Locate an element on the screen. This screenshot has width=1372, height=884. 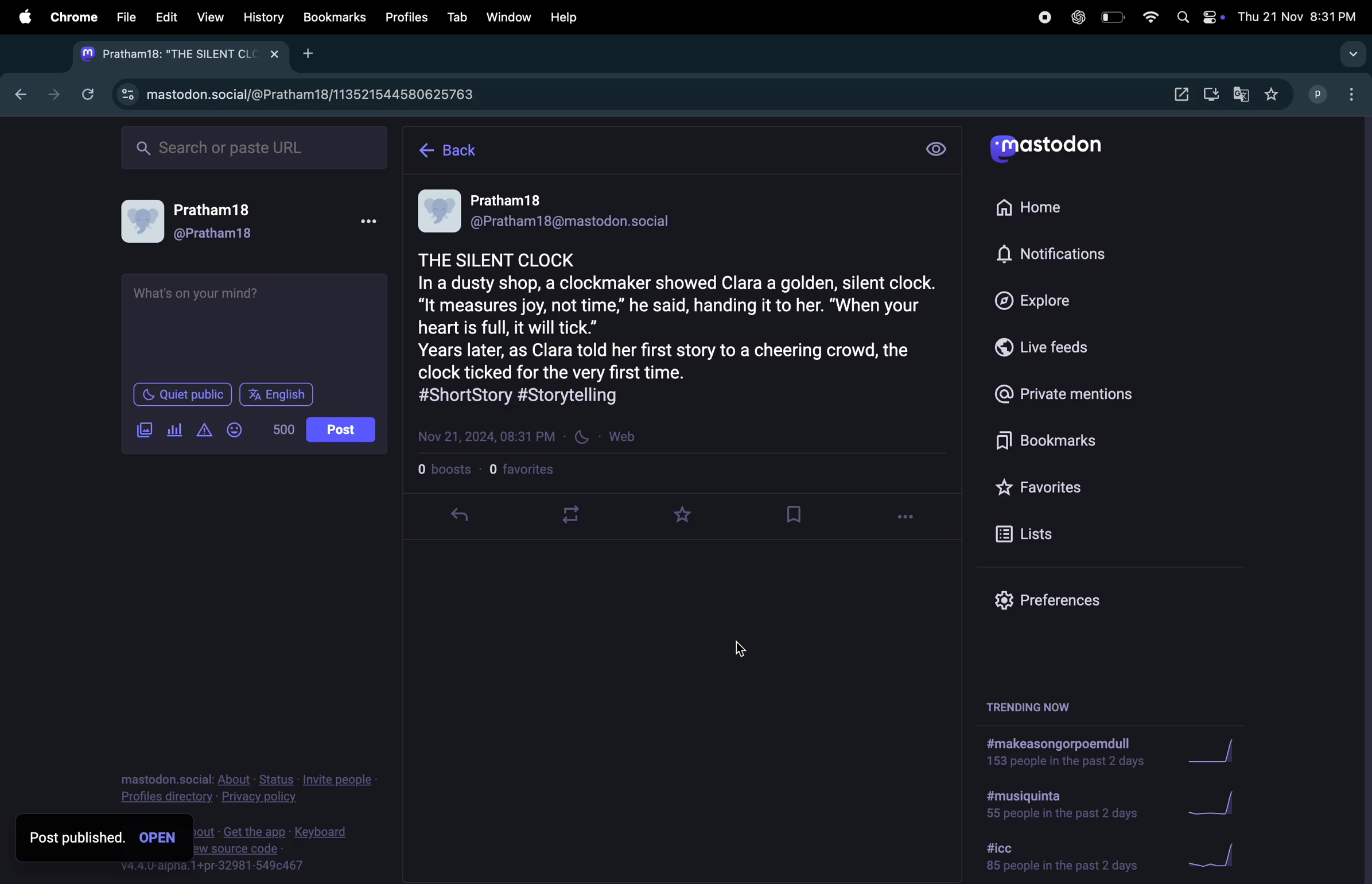
view is located at coordinates (209, 15).